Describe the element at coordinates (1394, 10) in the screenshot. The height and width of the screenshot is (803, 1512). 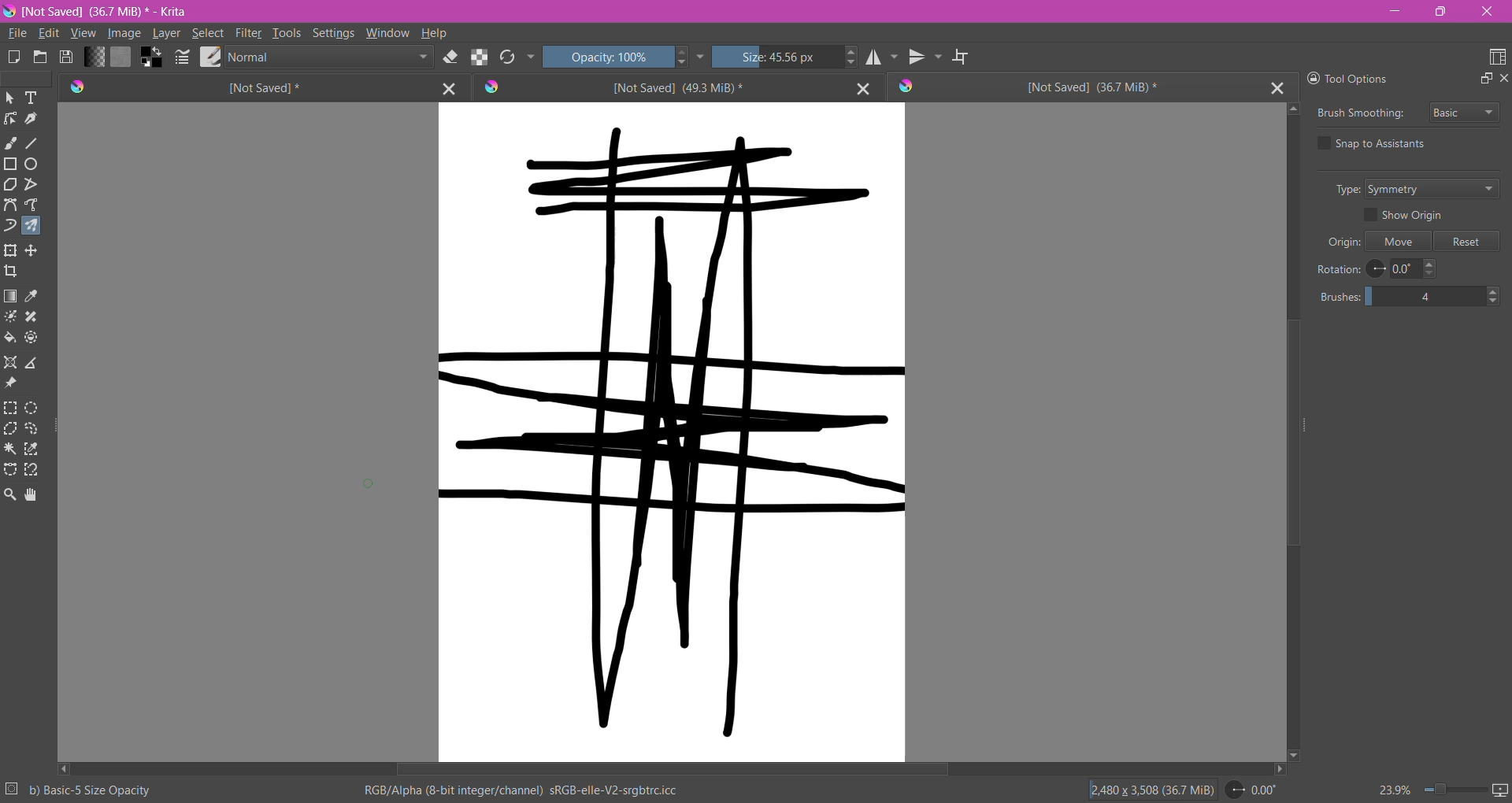
I see `Minimize` at that location.